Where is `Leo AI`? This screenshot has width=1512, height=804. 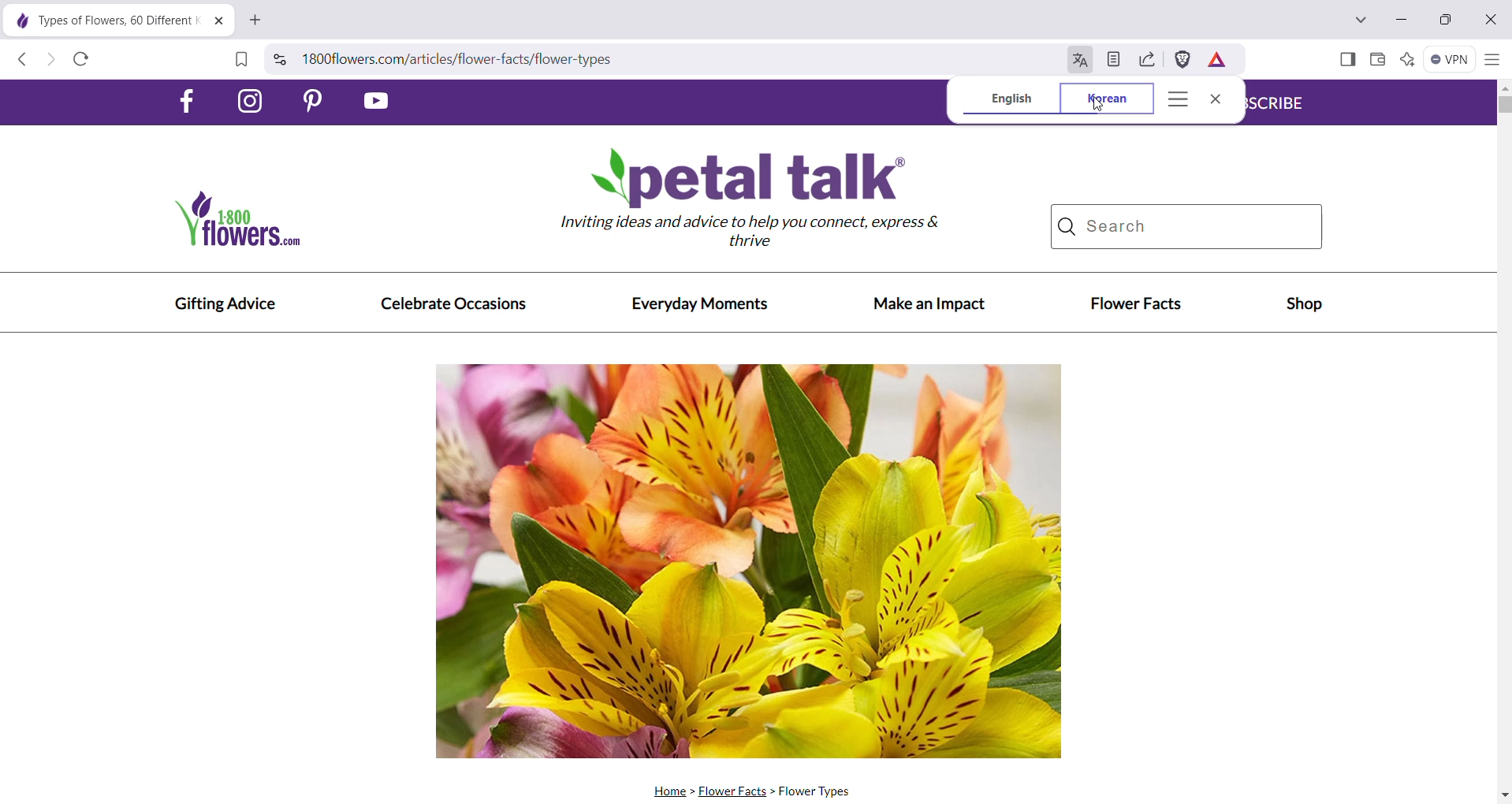 Leo AI is located at coordinates (1408, 61).